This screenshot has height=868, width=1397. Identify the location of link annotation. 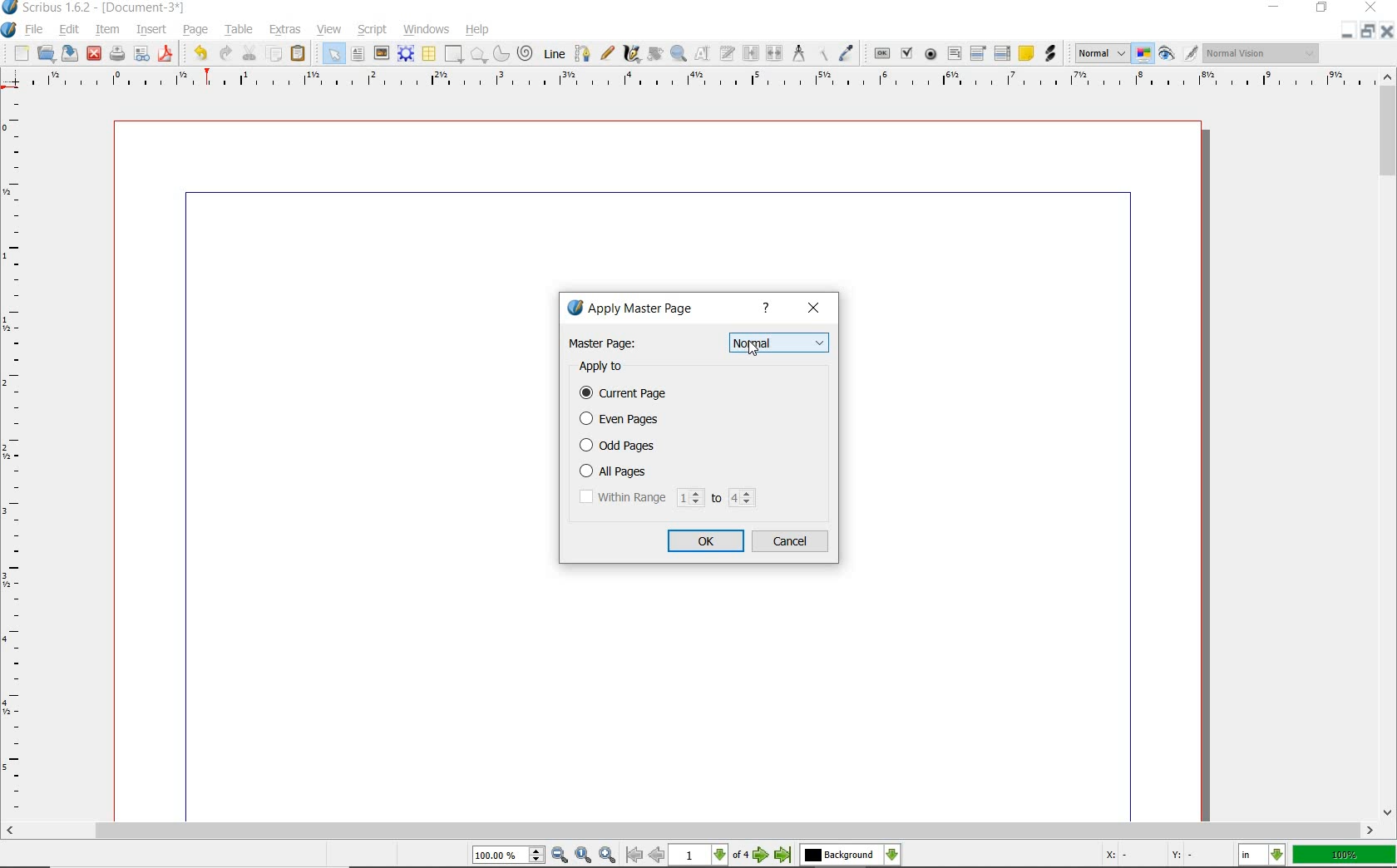
(1050, 53).